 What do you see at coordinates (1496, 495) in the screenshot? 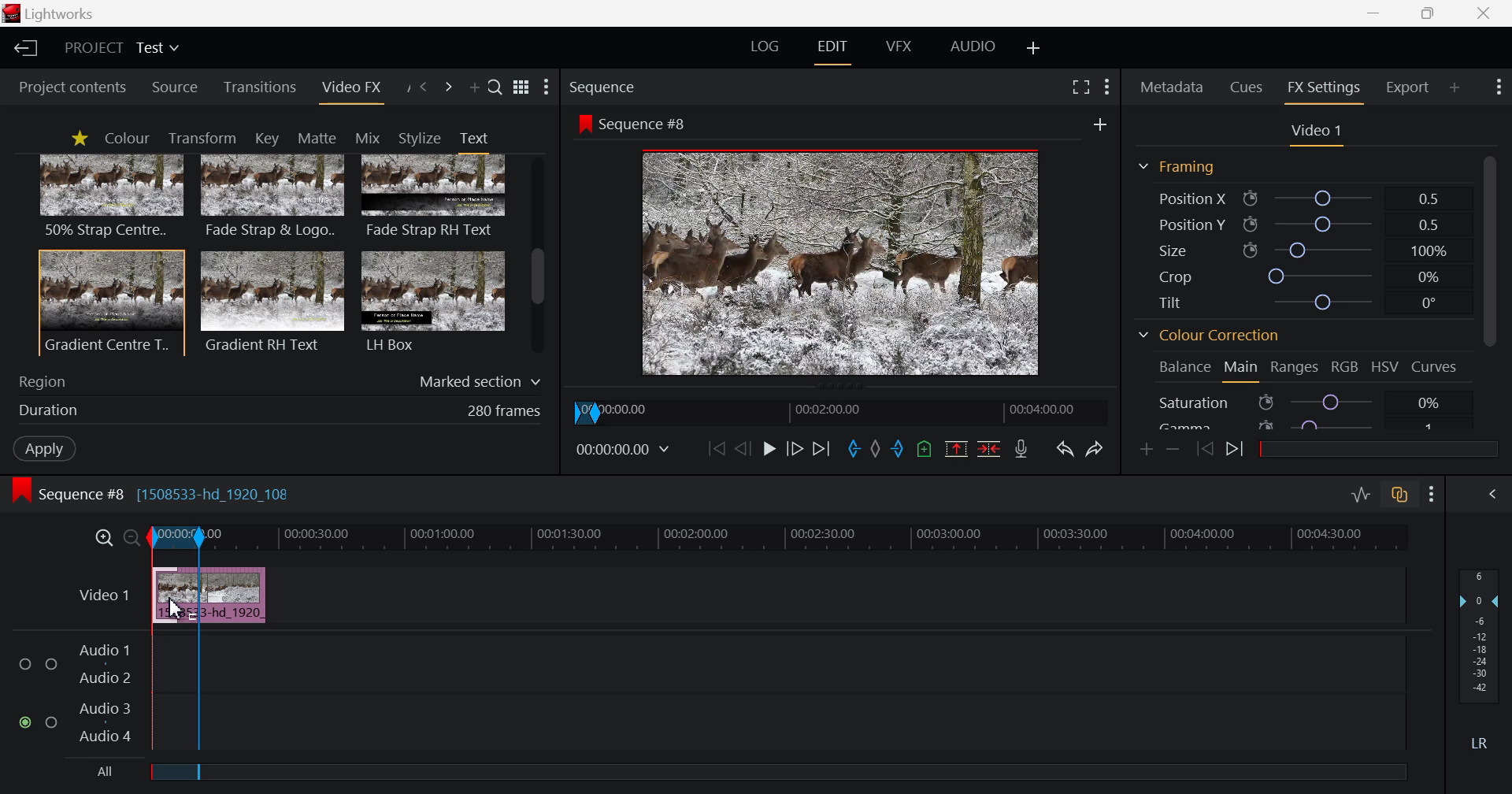
I see `Show Audio Mix` at bounding box center [1496, 495].